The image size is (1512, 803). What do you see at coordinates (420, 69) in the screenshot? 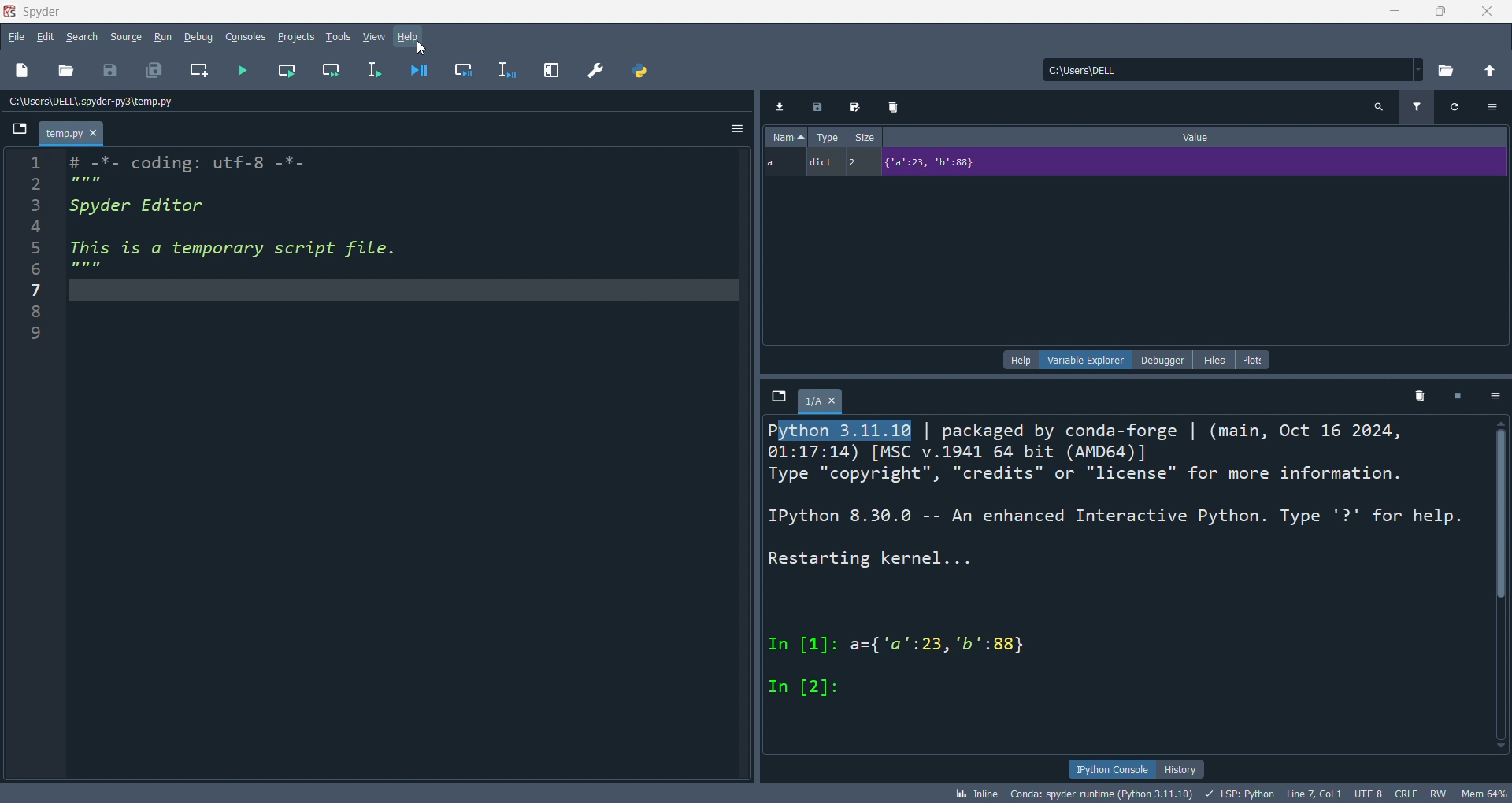
I see `debug file` at bounding box center [420, 69].